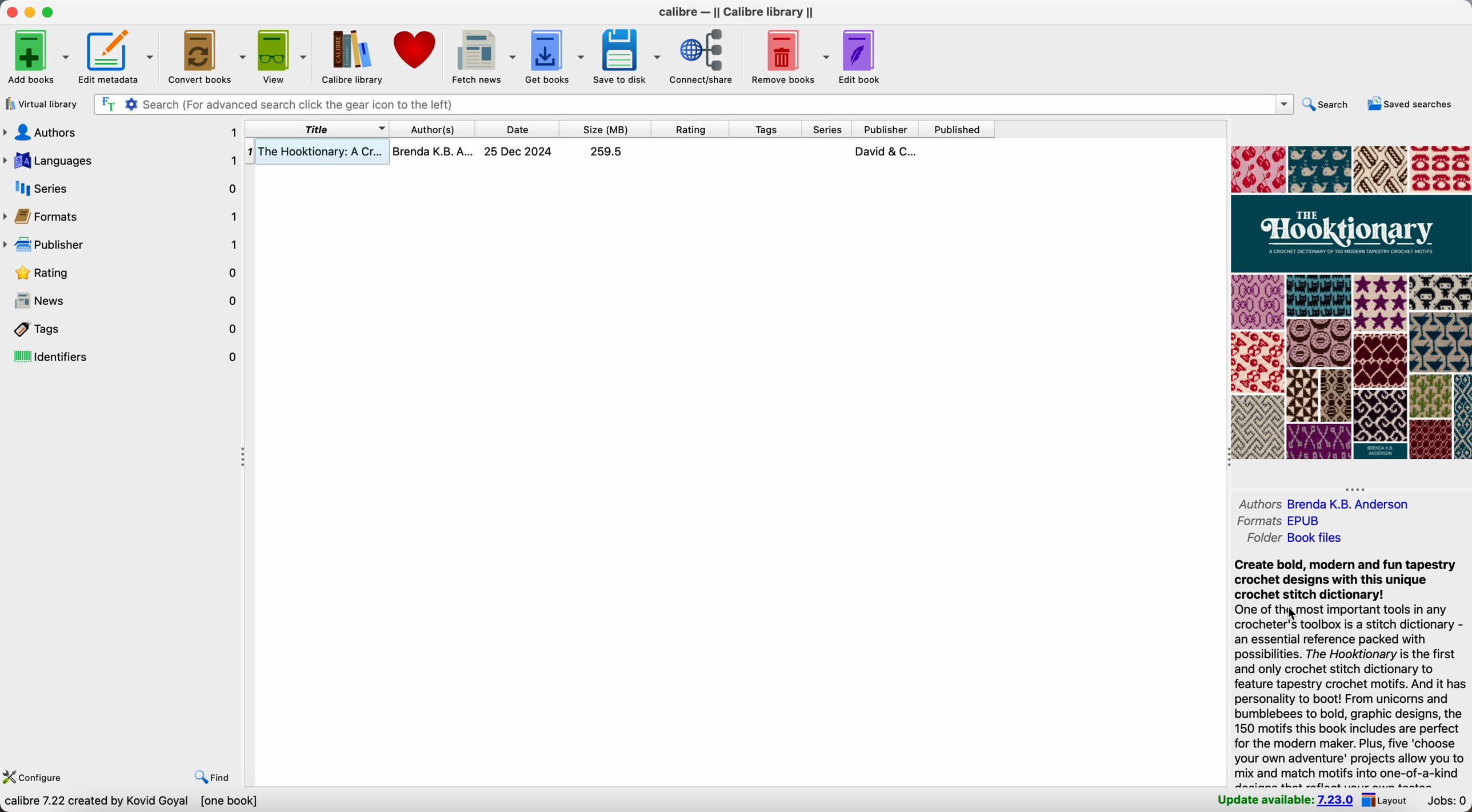  What do you see at coordinates (123, 247) in the screenshot?
I see `publisher` at bounding box center [123, 247].